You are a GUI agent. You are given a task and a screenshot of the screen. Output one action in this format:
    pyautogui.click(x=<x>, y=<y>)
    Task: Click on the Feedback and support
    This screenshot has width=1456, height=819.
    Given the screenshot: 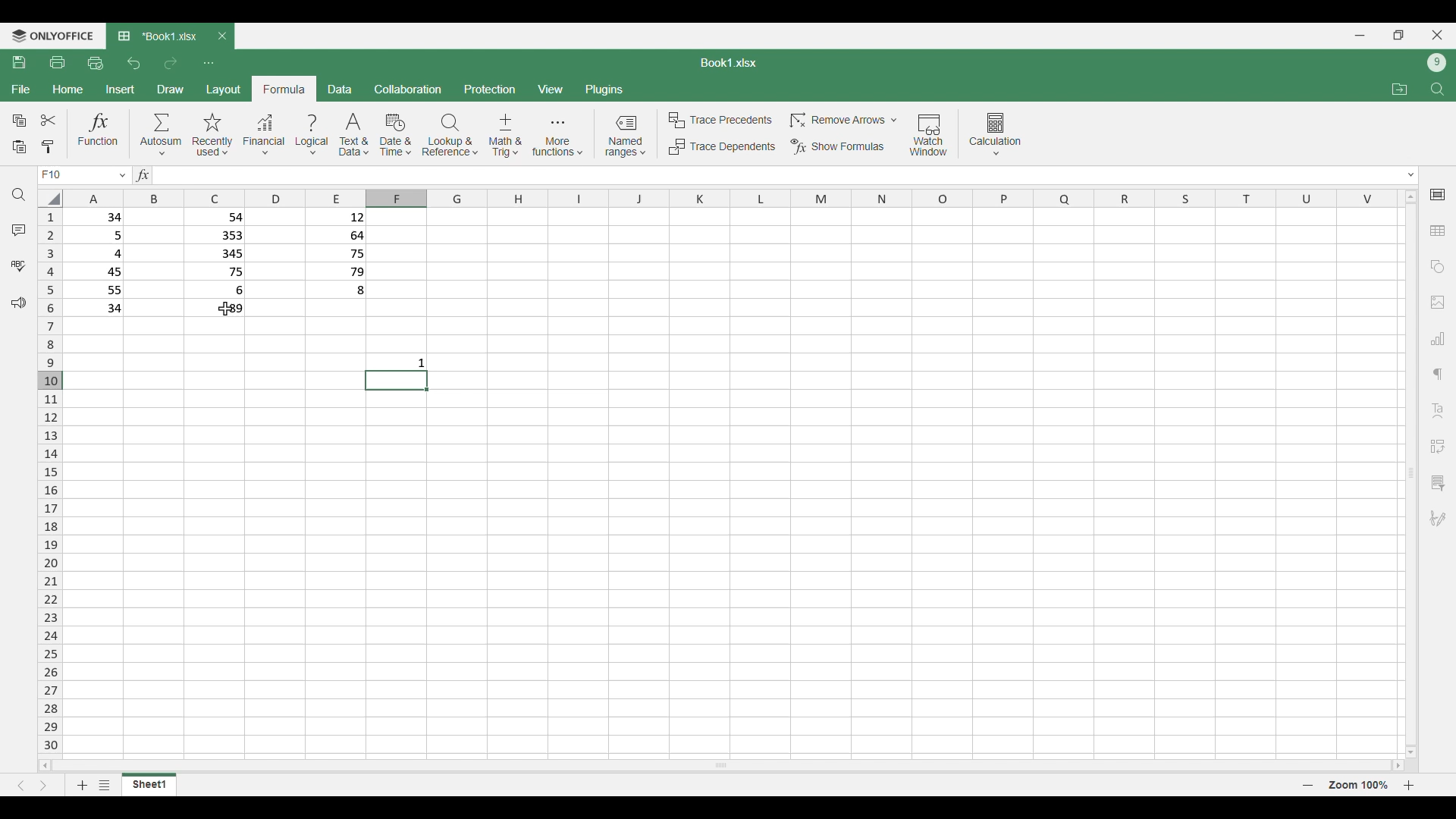 What is the action you would take?
    pyautogui.click(x=18, y=303)
    